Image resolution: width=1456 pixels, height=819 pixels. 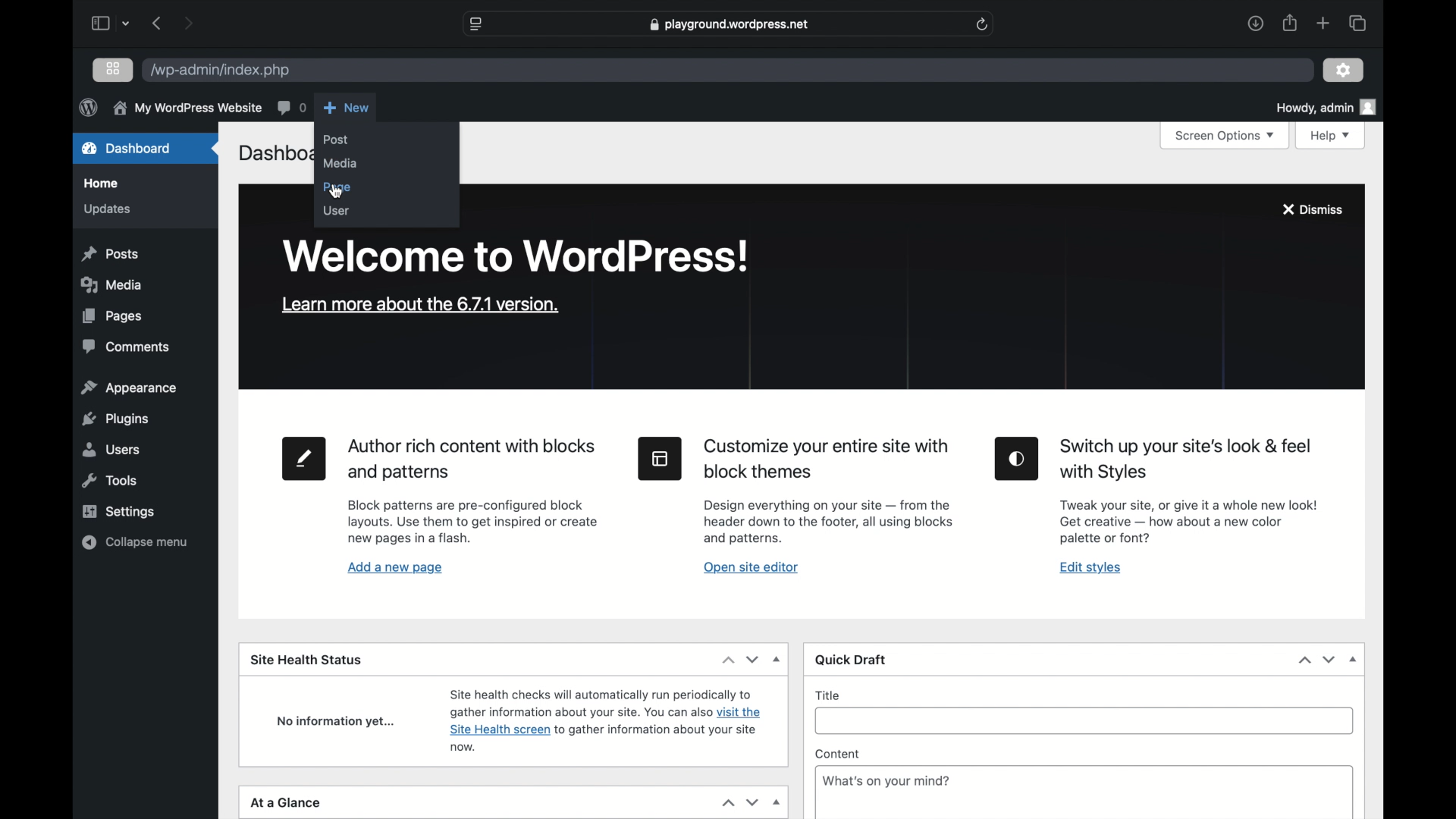 I want to click on post, so click(x=336, y=140).